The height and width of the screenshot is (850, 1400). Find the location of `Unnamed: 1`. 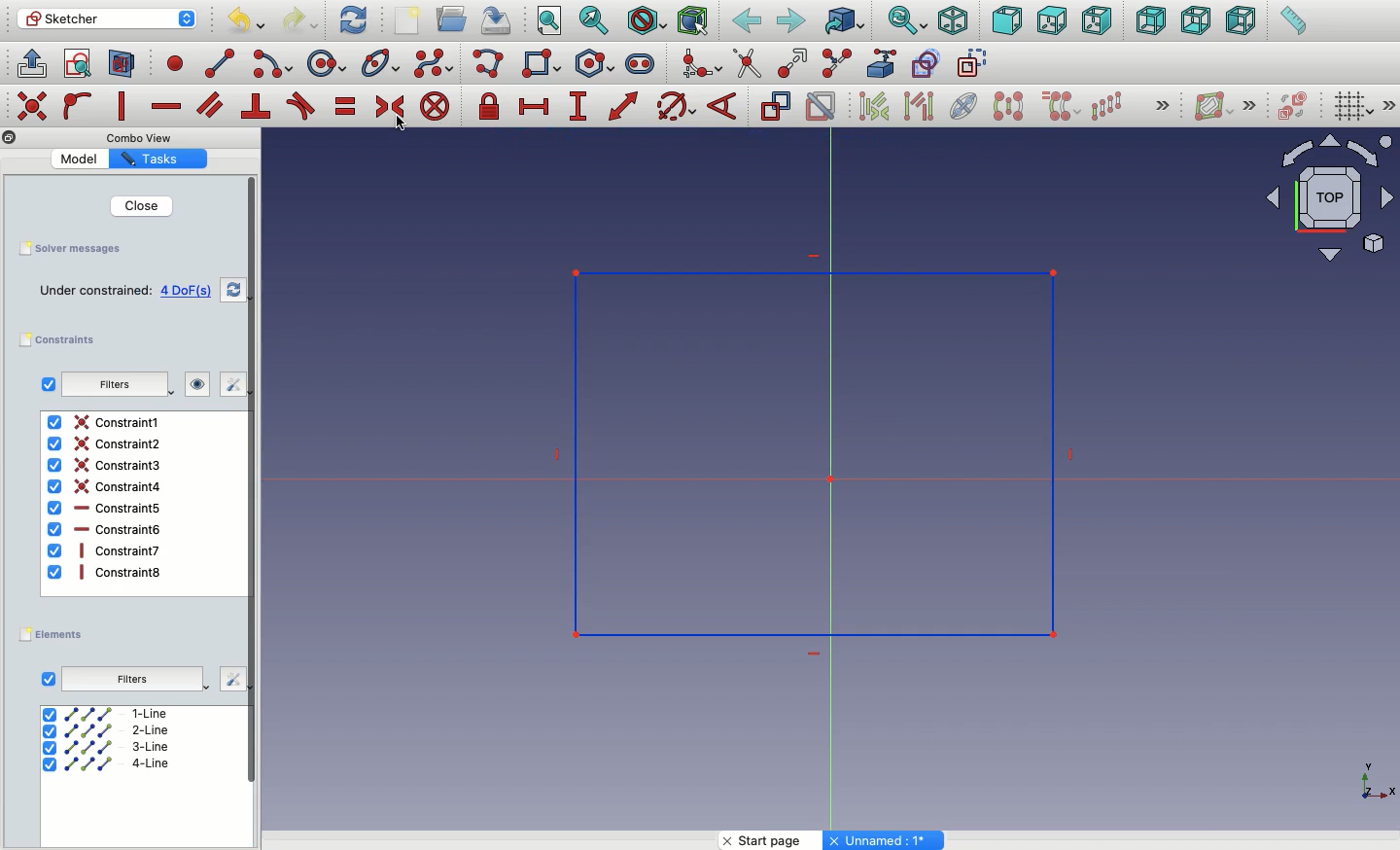

Unnamed: 1 is located at coordinates (885, 840).